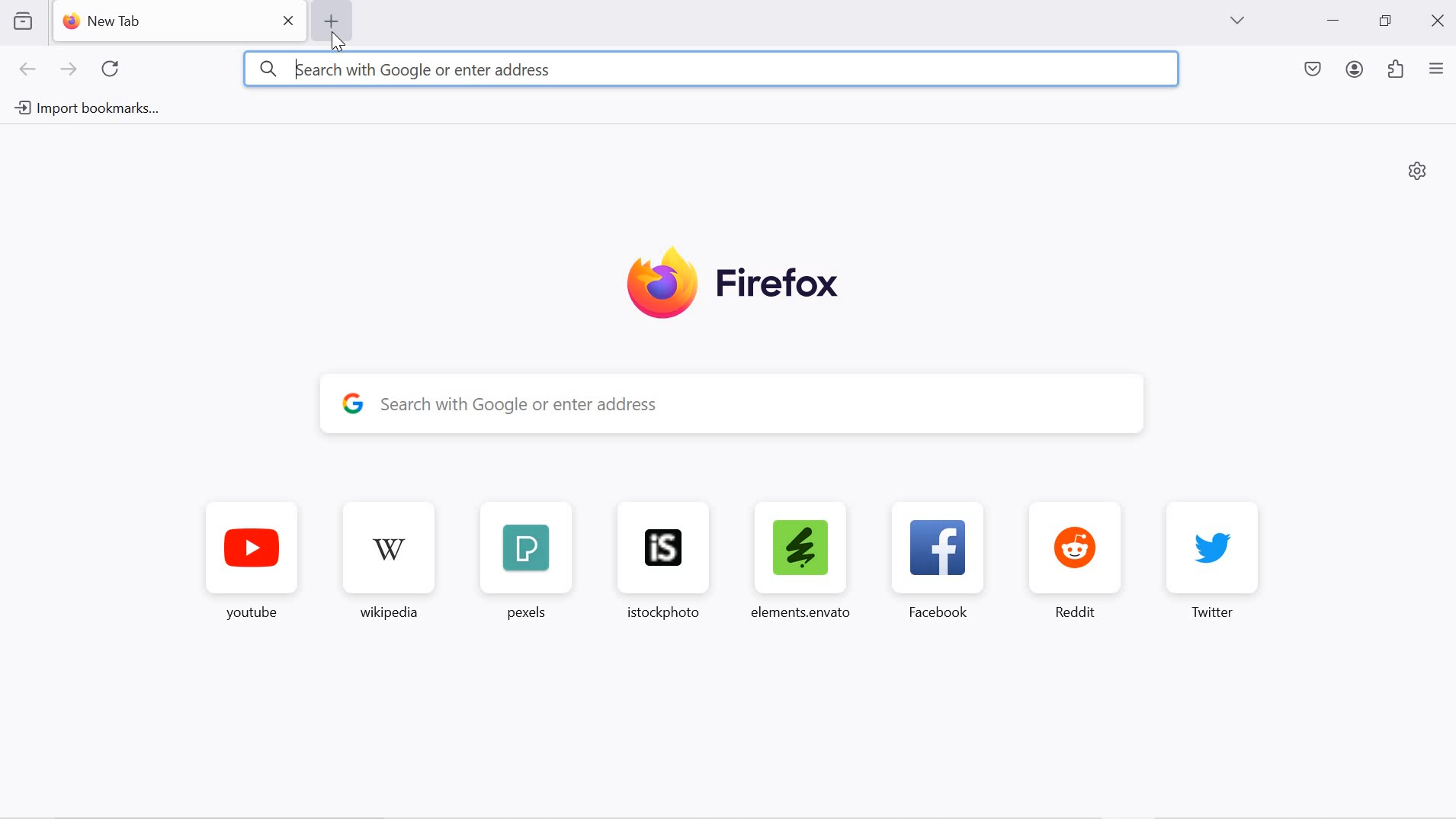  Describe the element at coordinates (656, 560) in the screenshot. I see `istockphoto favorite` at that location.